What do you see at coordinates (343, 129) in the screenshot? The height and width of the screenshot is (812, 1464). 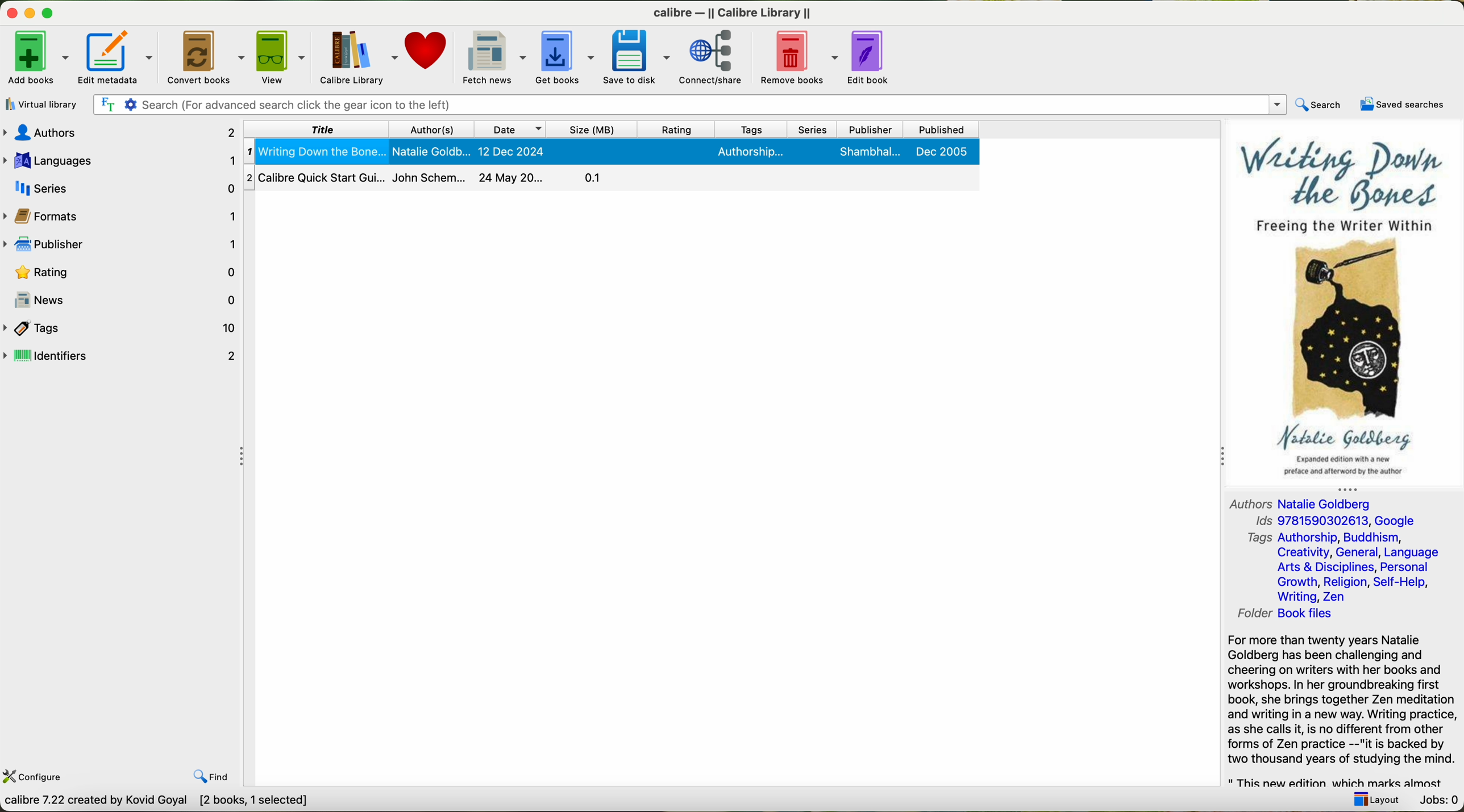 I see `title` at bounding box center [343, 129].